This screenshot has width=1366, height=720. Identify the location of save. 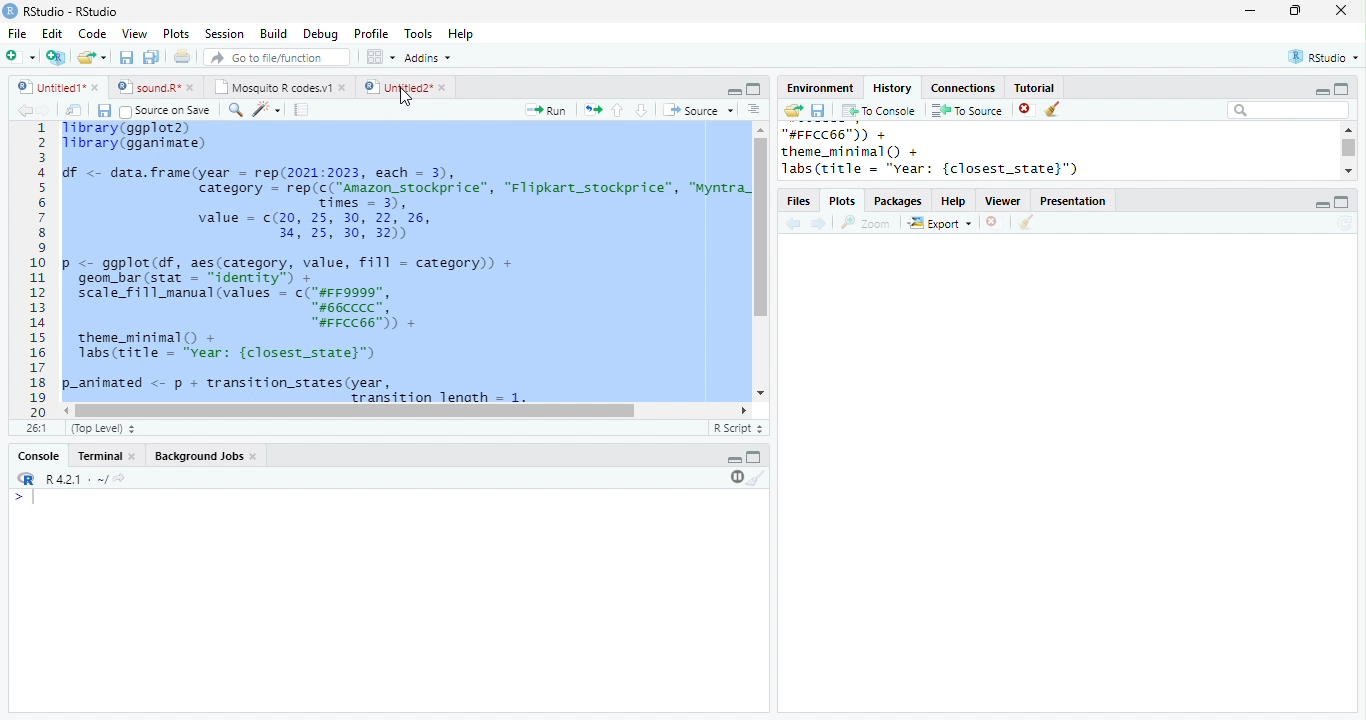
(104, 110).